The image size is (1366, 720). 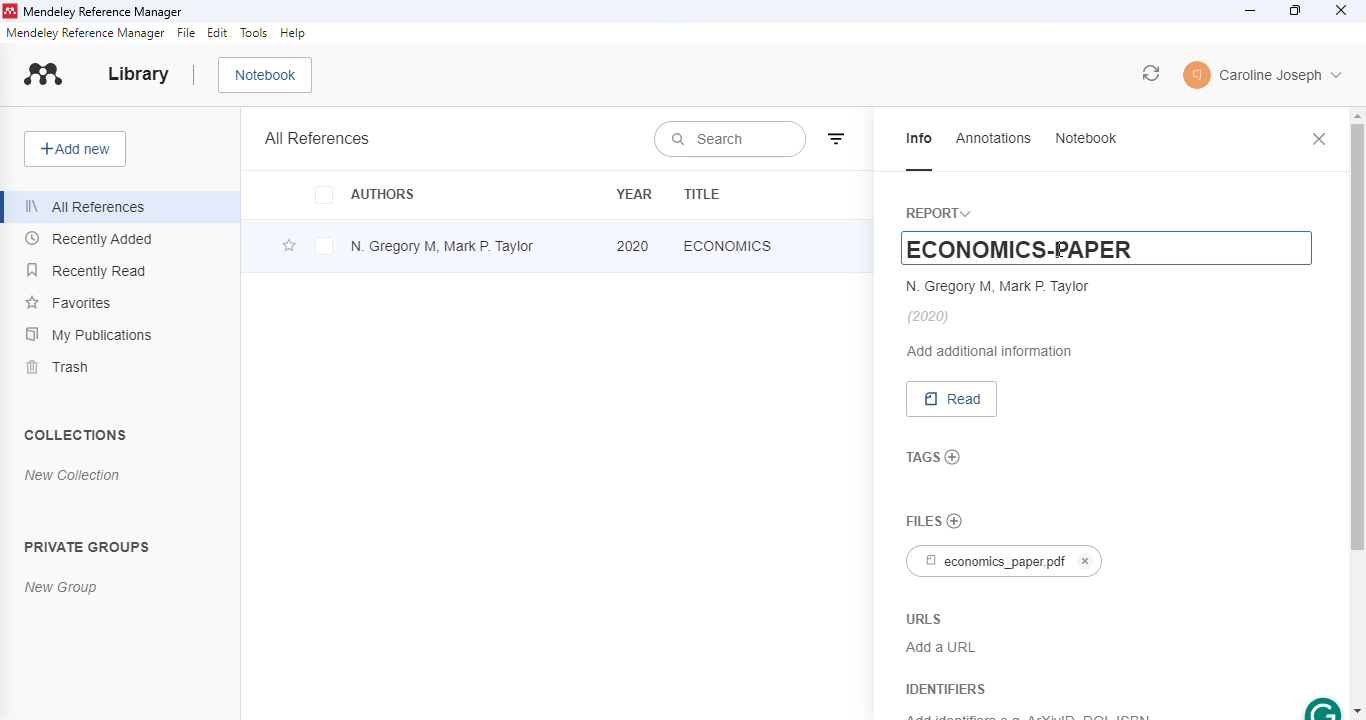 I want to click on logo, so click(x=10, y=11).